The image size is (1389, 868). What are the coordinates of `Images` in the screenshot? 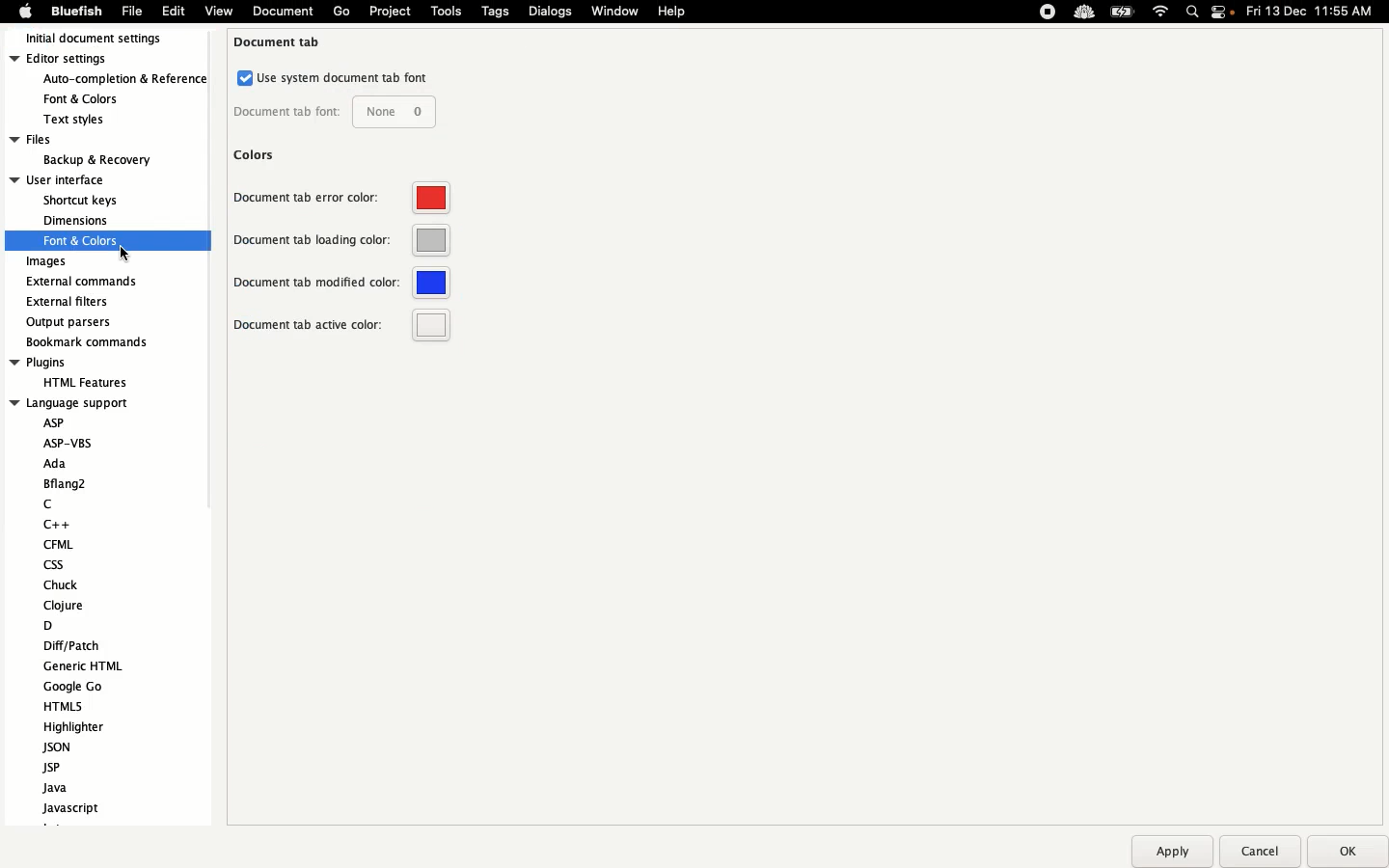 It's located at (48, 262).